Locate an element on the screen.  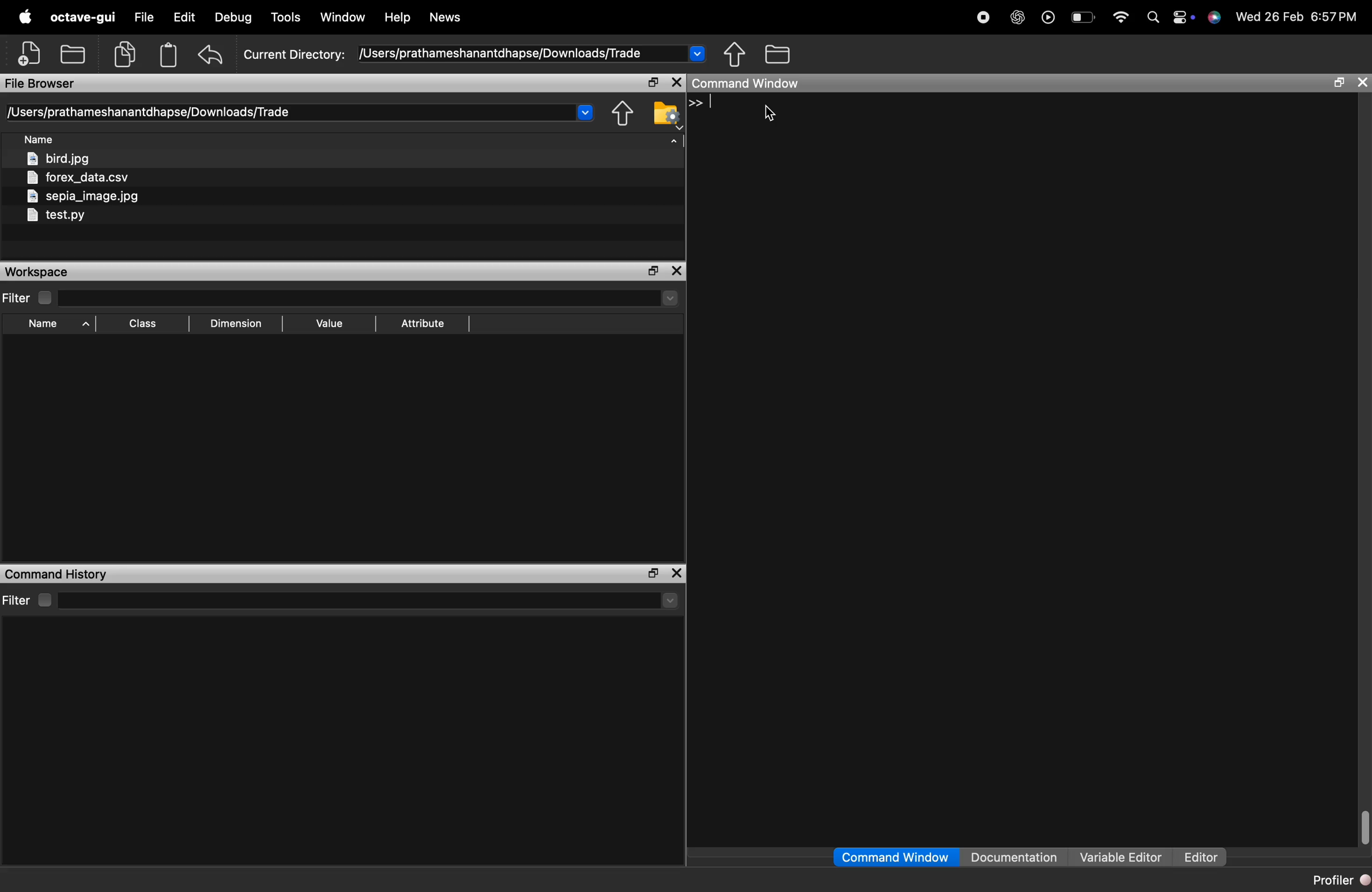
sory by name is located at coordinates (61, 324).